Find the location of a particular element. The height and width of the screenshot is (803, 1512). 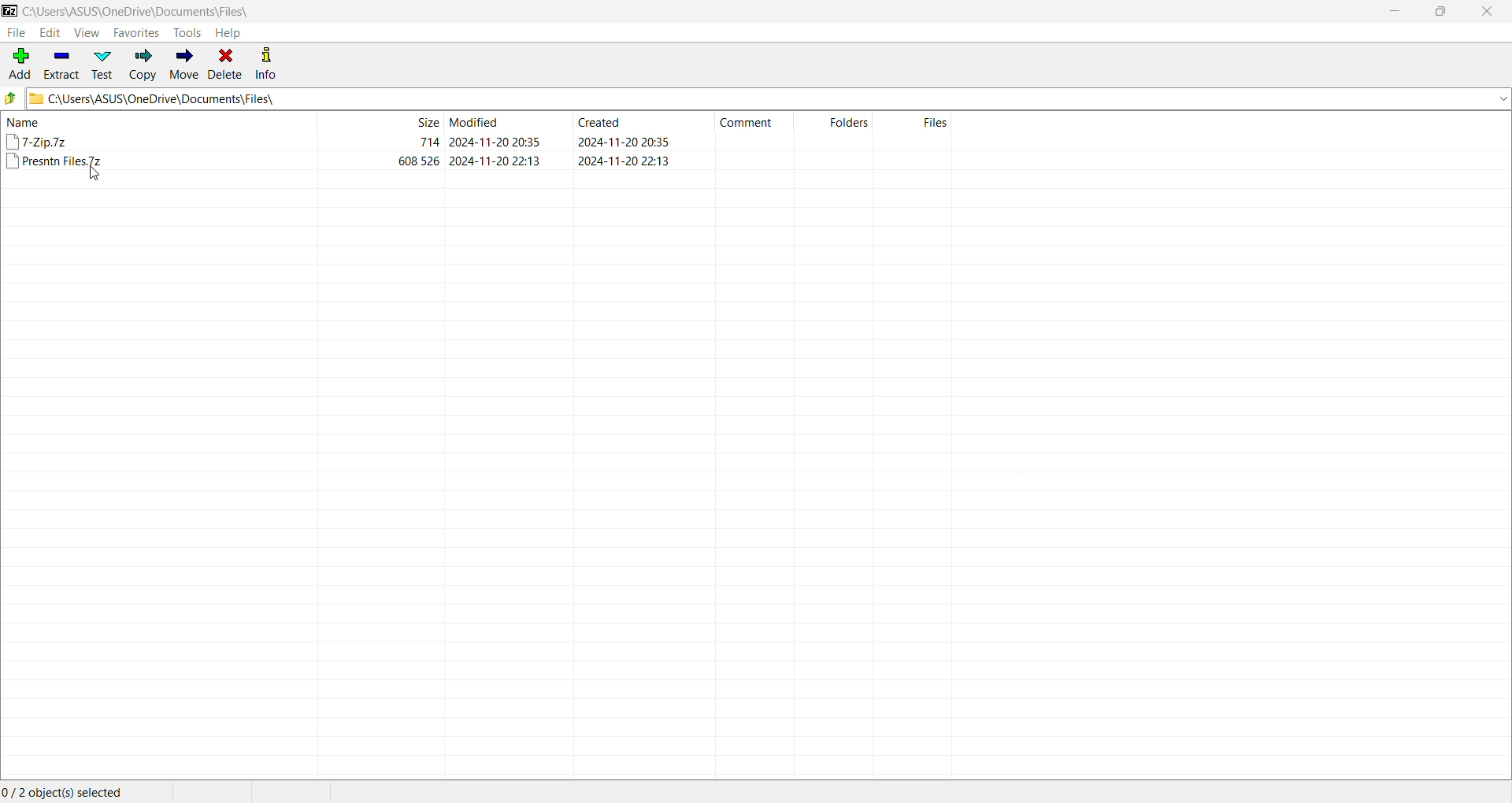

Add is located at coordinates (19, 62).